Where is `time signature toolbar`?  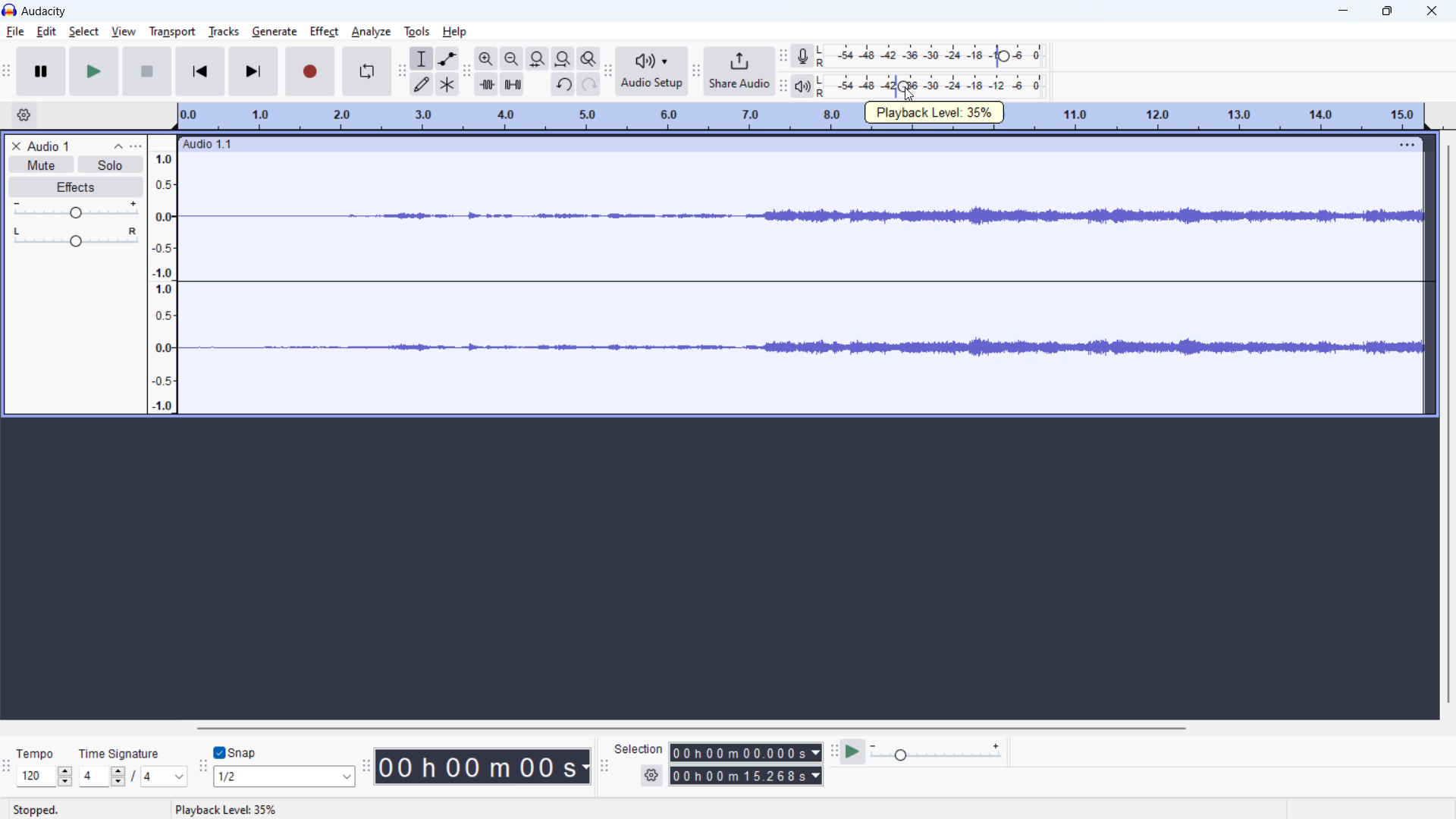
time signature toolbar is located at coordinates (7, 763).